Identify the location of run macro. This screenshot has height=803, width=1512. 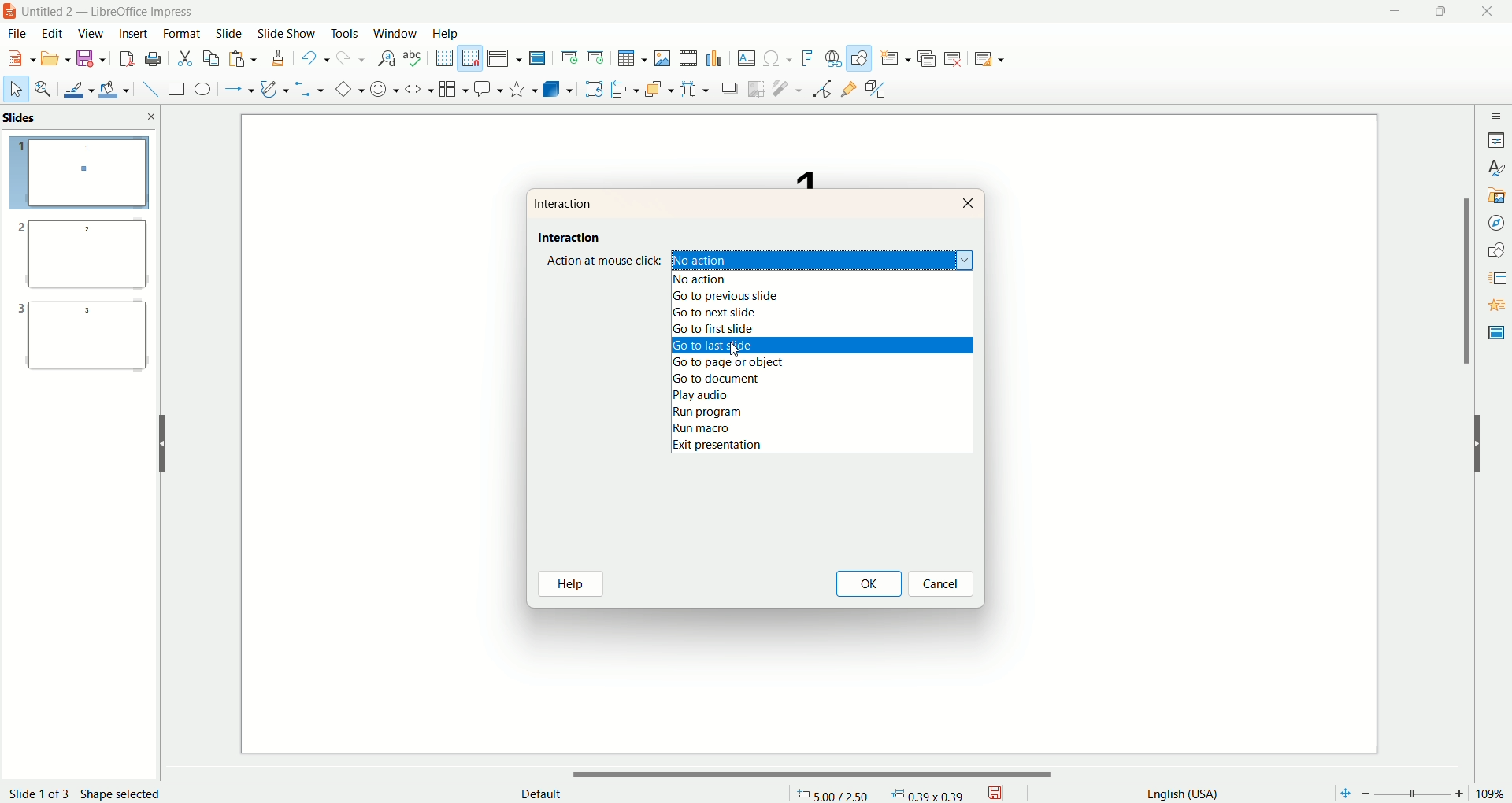
(758, 431).